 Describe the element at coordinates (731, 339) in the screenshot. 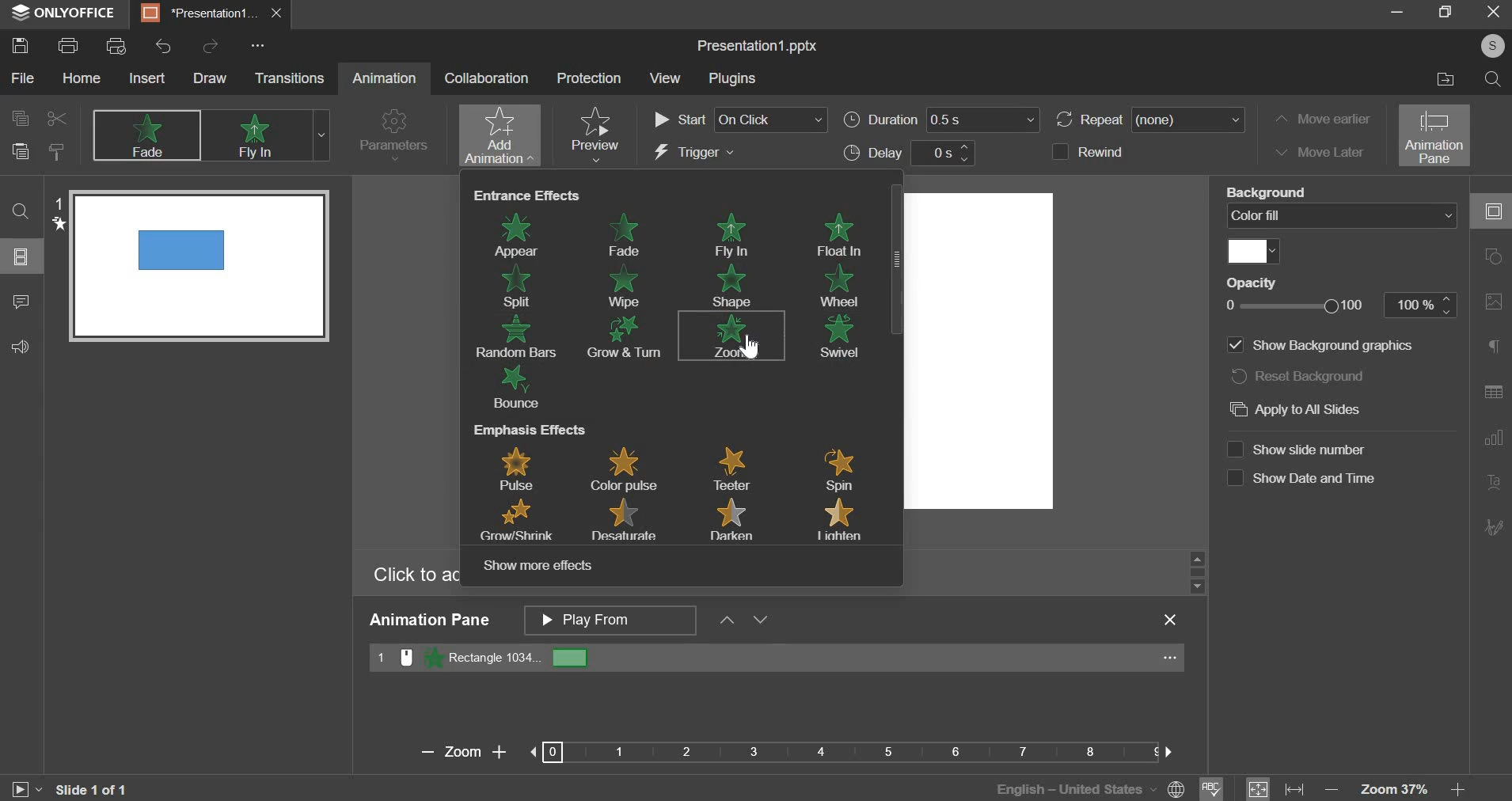

I see `zoom` at that location.